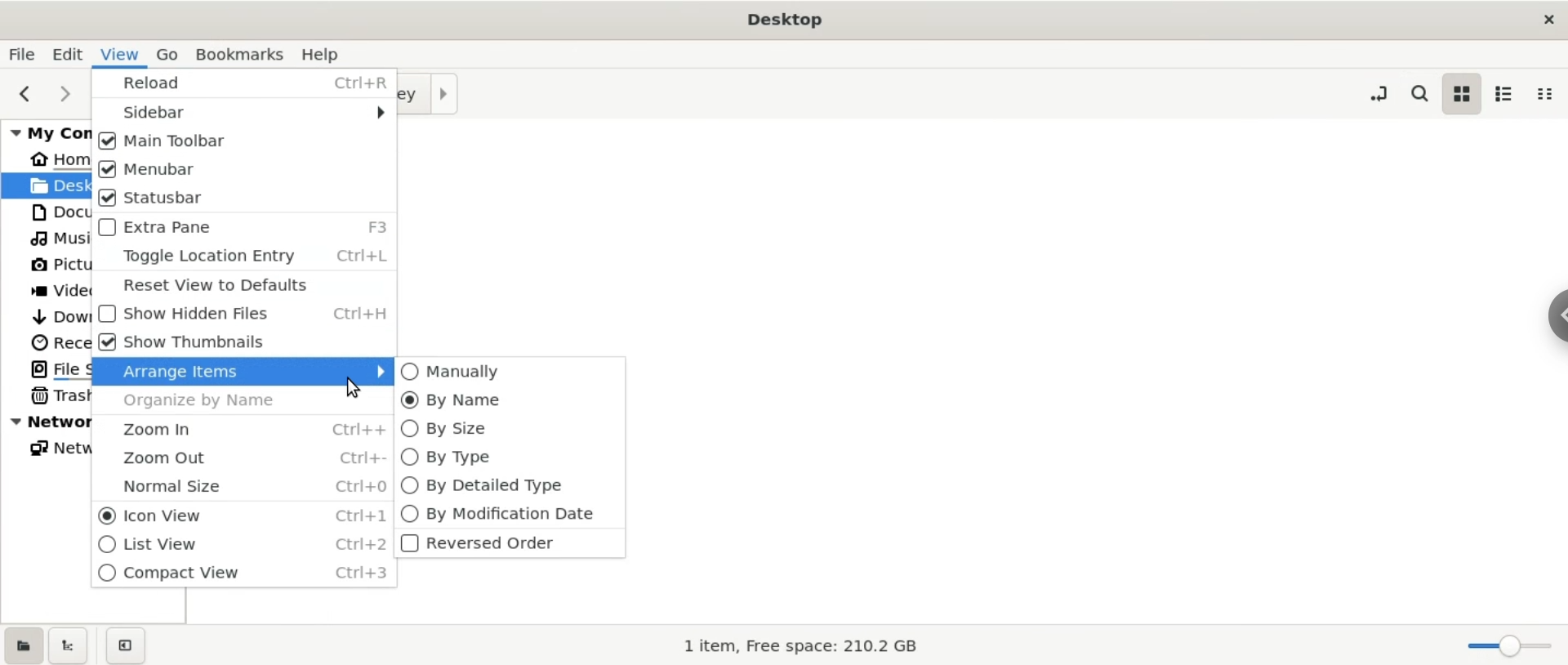 The image size is (1568, 665). What do you see at coordinates (243, 344) in the screenshot?
I see `show thumbnails` at bounding box center [243, 344].